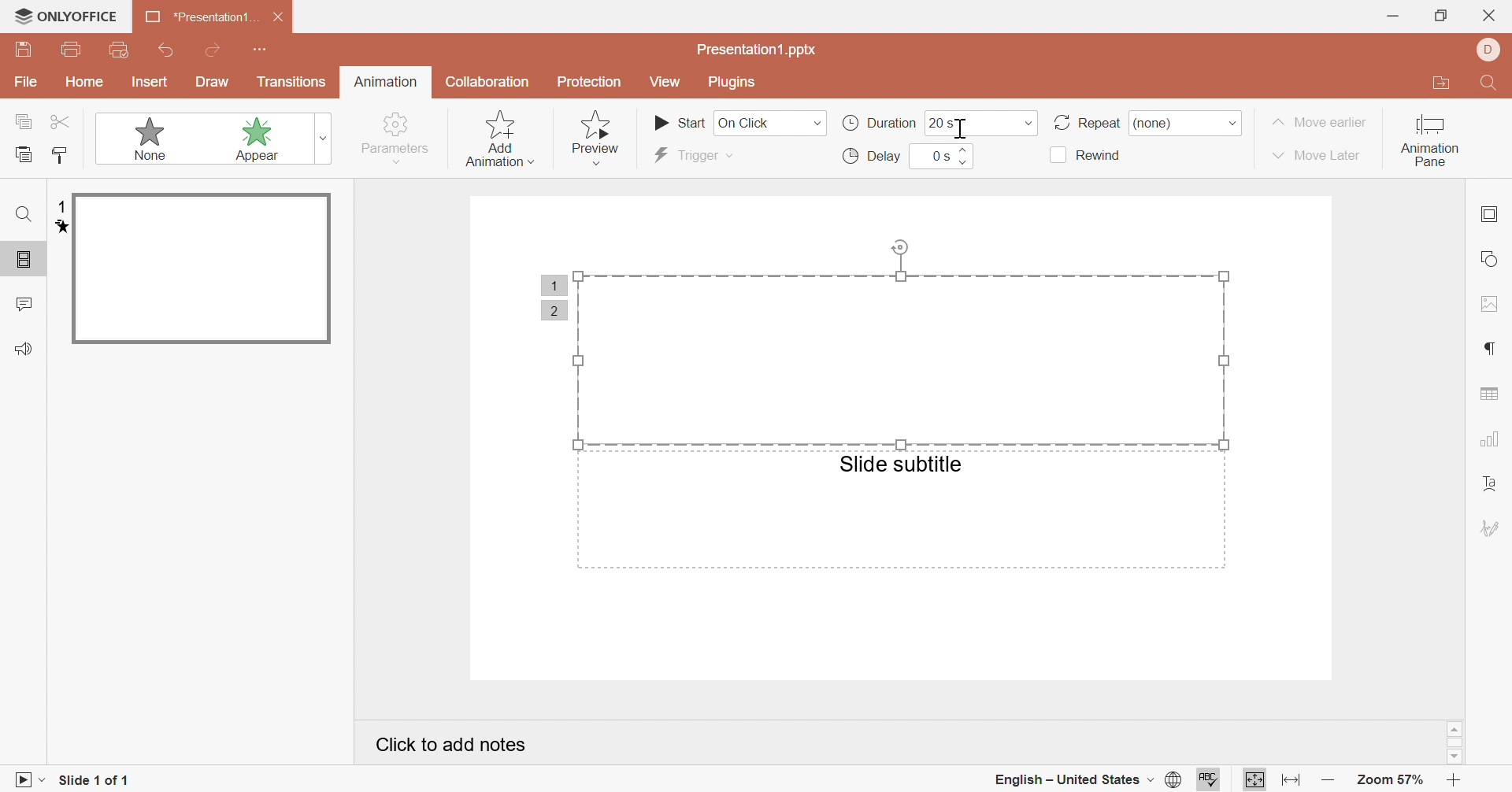 This screenshot has width=1512, height=792. What do you see at coordinates (57, 228) in the screenshot?
I see `animation` at bounding box center [57, 228].